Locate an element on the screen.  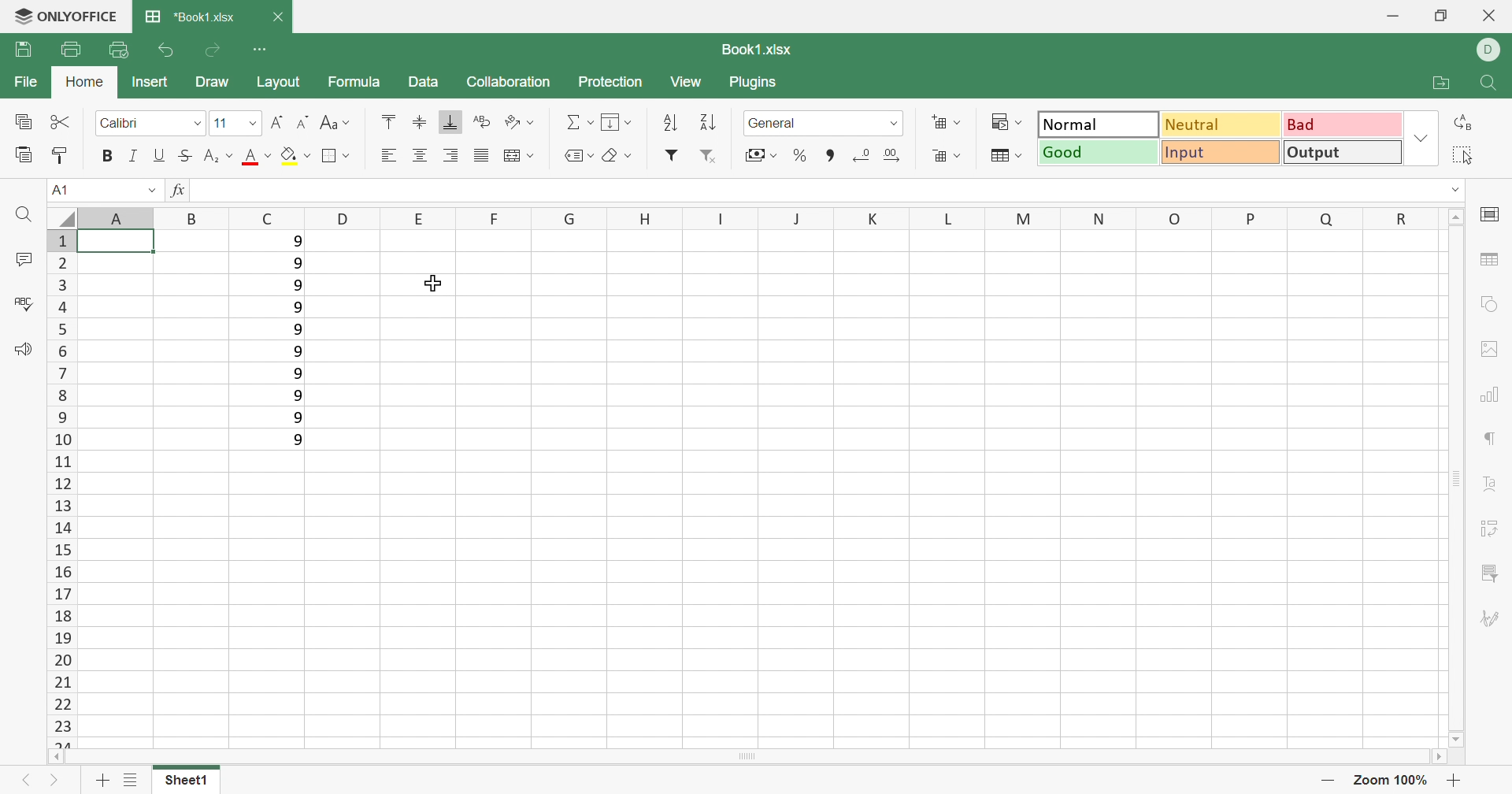
ONLYOFFICE is located at coordinates (69, 15).